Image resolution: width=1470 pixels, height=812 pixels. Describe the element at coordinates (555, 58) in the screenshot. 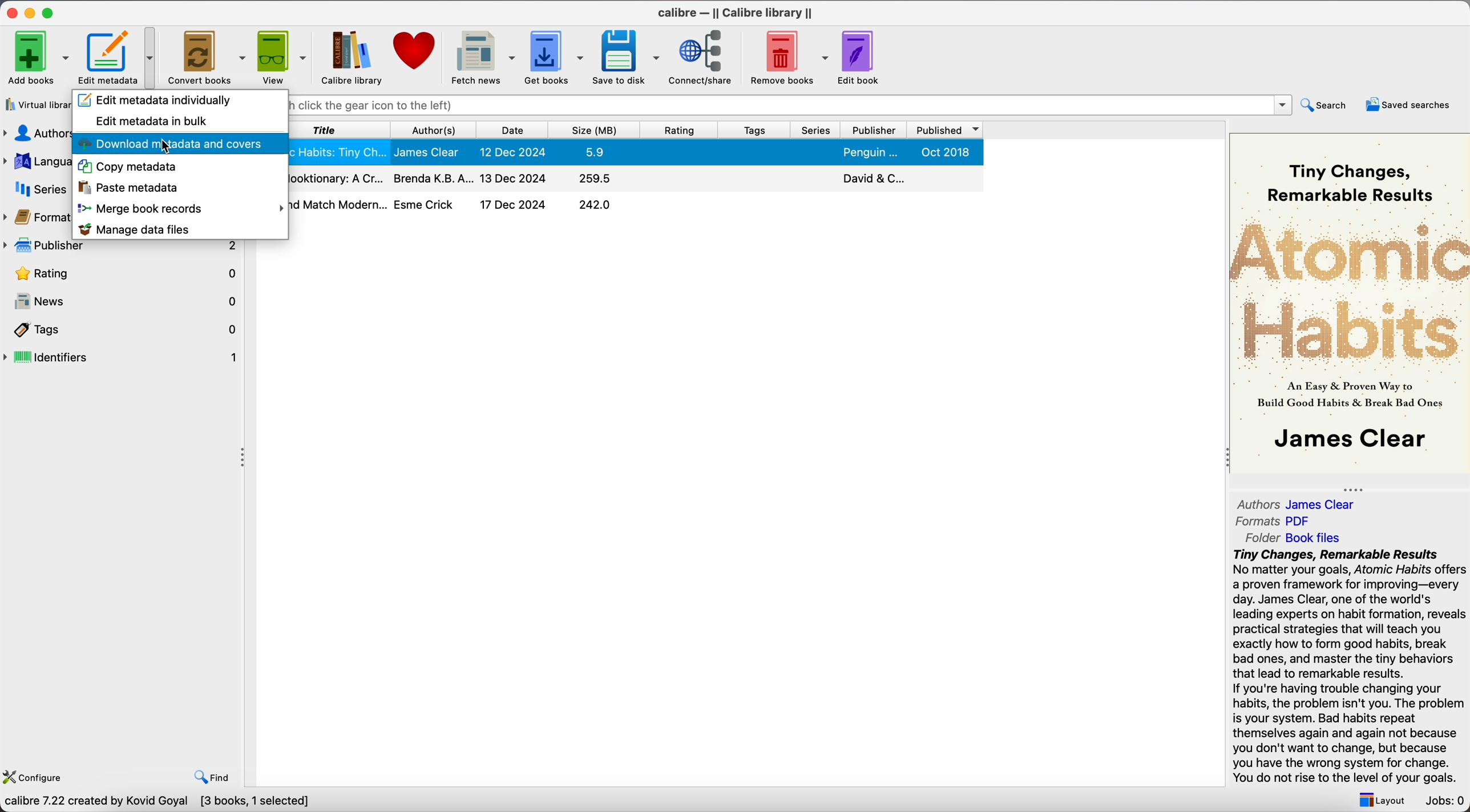

I see `get books` at that location.